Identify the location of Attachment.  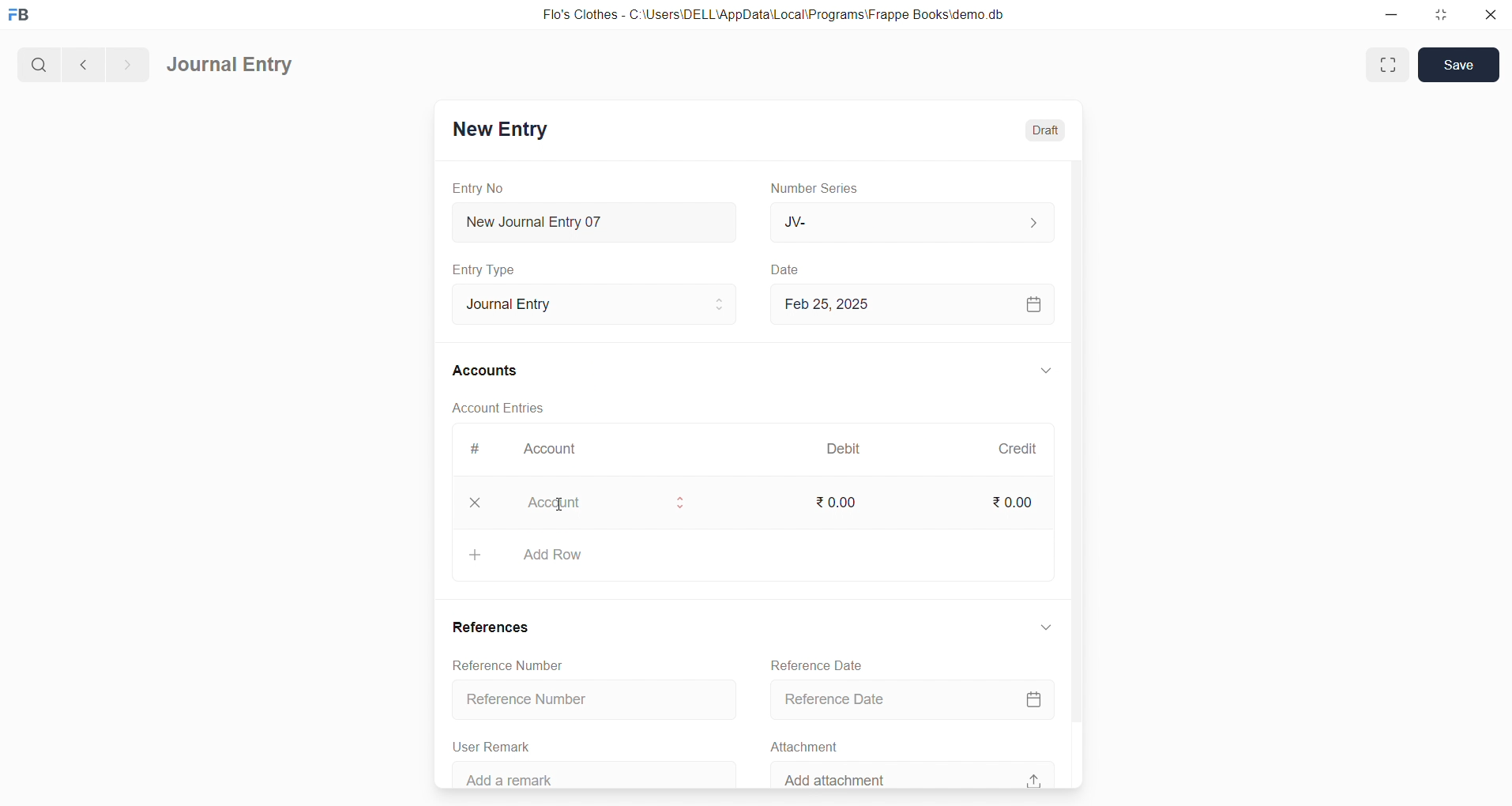
(805, 745).